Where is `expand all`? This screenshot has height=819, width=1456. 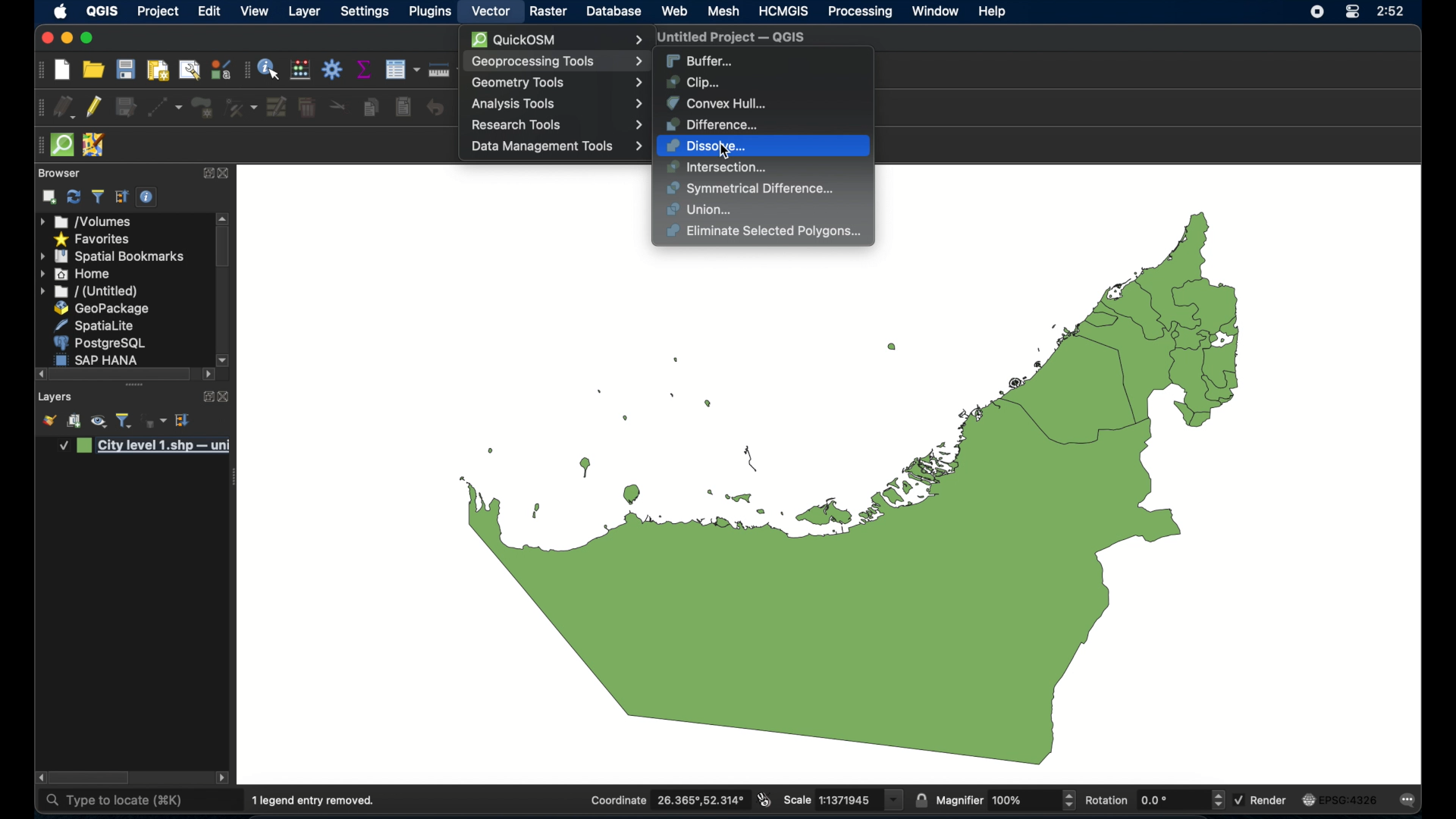
expand all is located at coordinates (184, 420).